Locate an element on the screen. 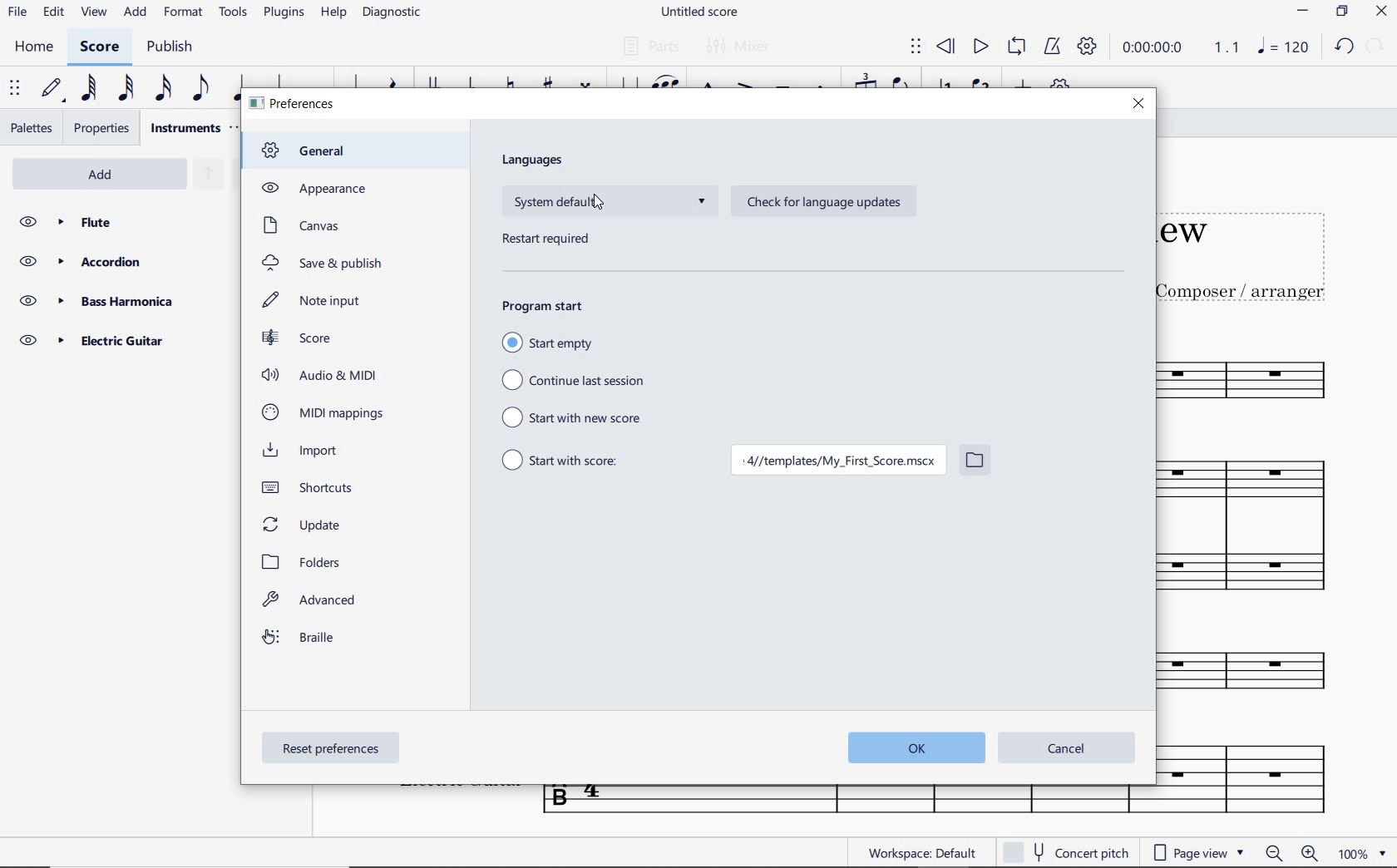 The image size is (1397, 868). path is located at coordinates (836, 462).